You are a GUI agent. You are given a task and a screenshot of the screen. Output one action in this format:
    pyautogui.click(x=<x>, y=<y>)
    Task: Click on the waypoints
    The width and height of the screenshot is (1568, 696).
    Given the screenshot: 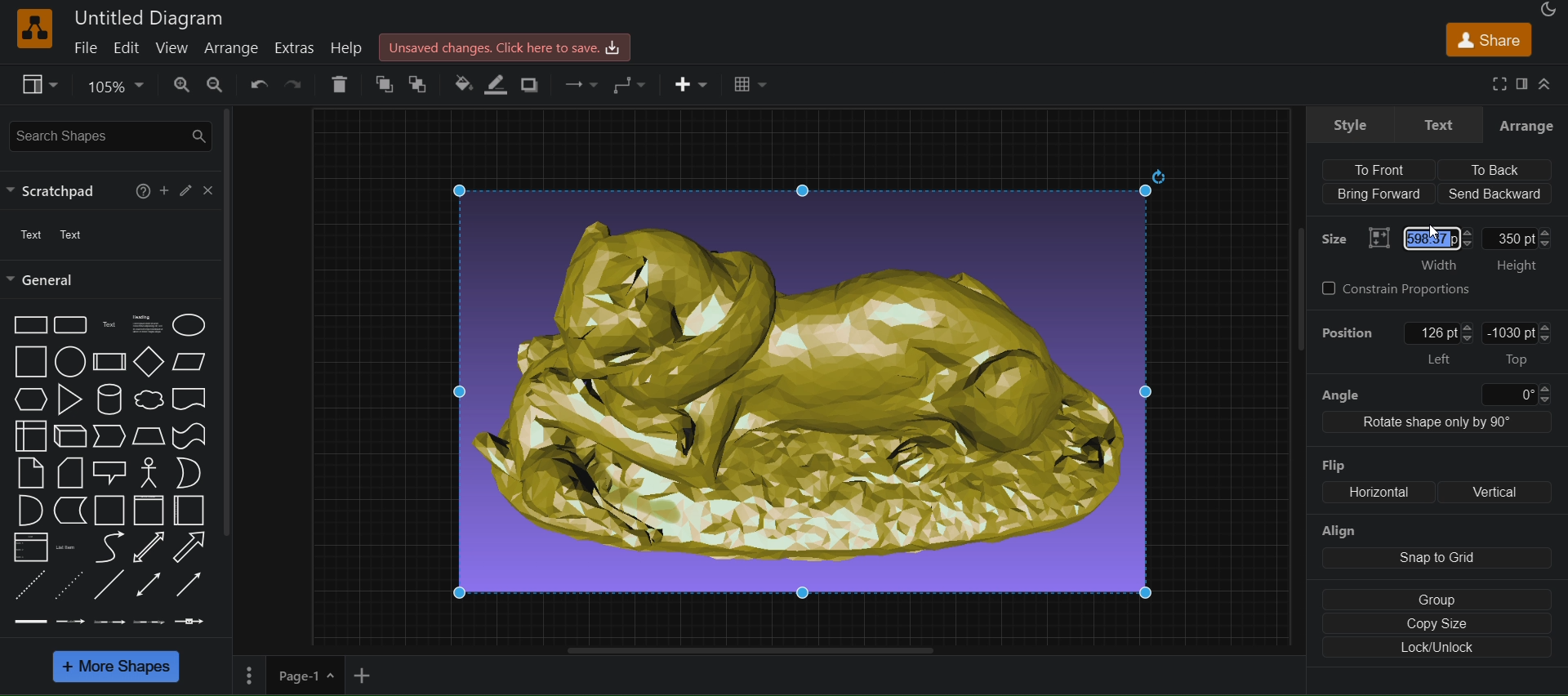 What is the action you would take?
    pyautogui.click(x=579, y=86)
    